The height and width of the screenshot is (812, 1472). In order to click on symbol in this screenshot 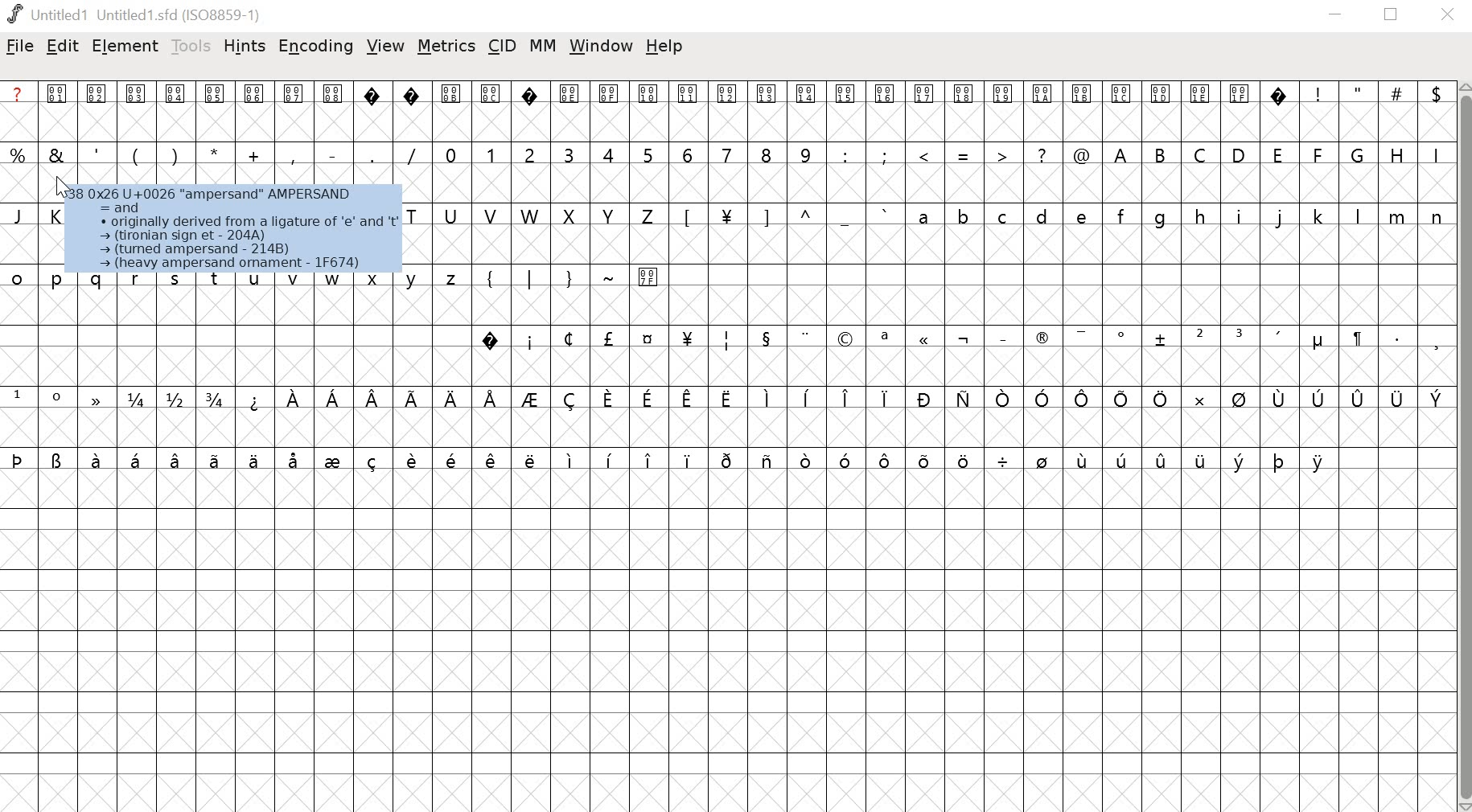, I will do `click(414, 458)`.